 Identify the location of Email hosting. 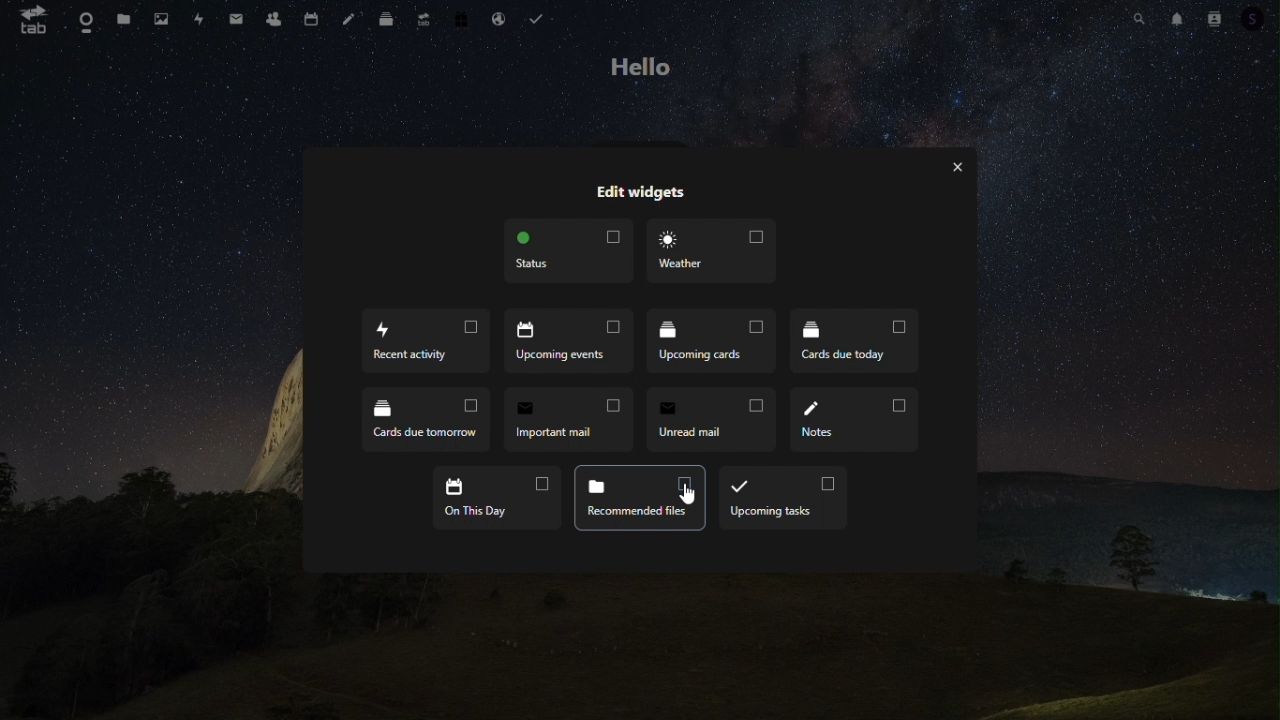
(499, 22).